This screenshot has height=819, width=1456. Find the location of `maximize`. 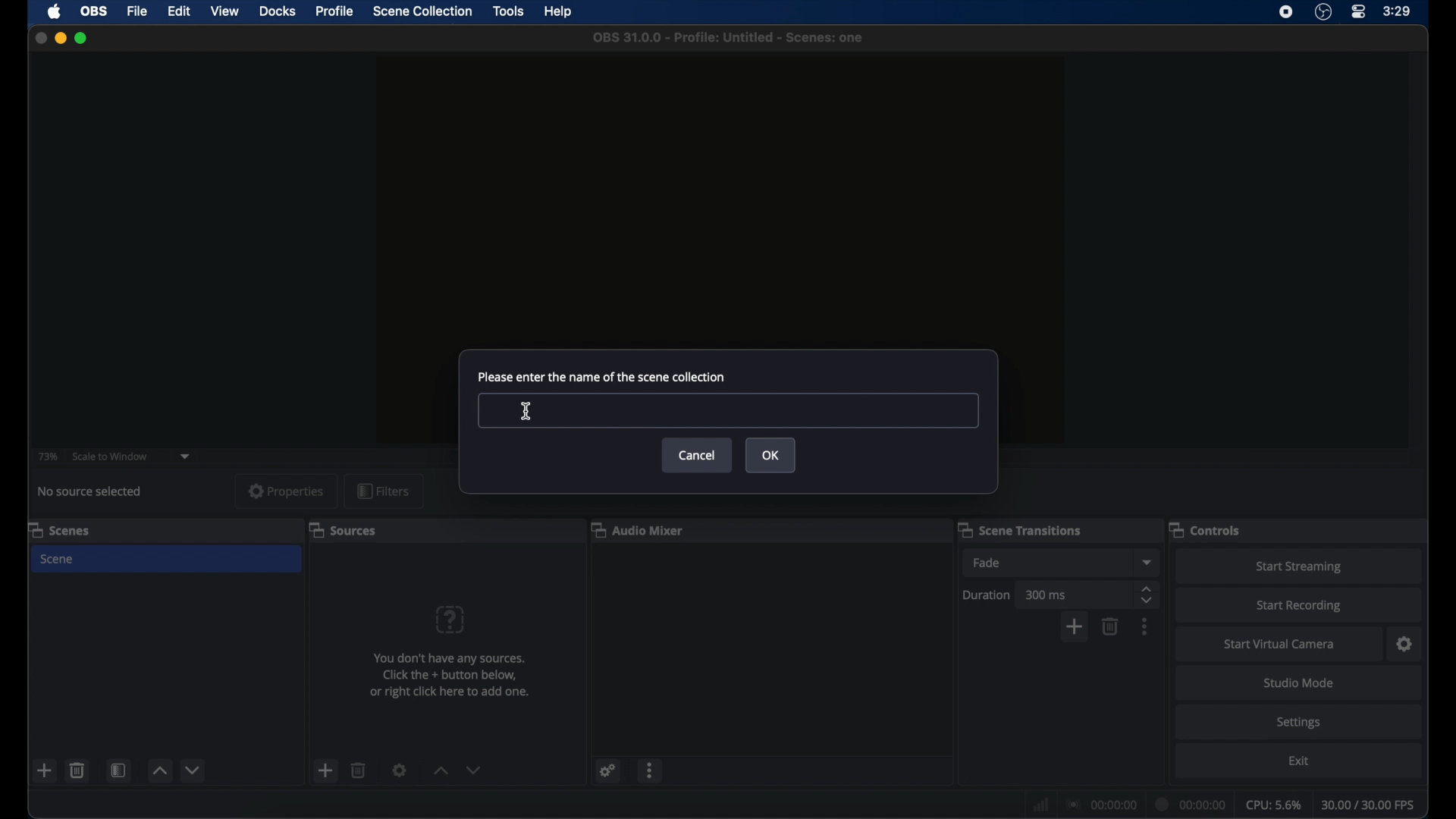

maximize is located at coordinates (82, 38).